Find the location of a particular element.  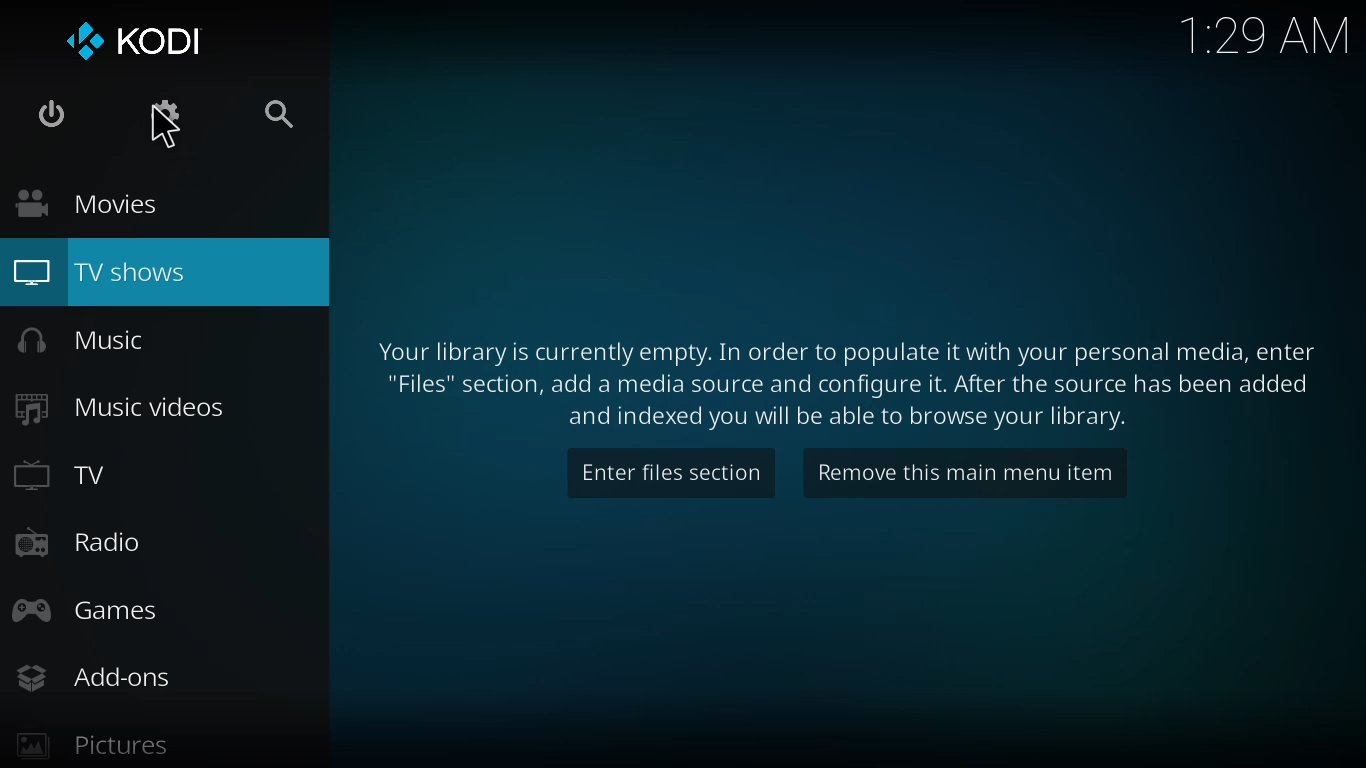

time is located at coordinates (1262, 31).